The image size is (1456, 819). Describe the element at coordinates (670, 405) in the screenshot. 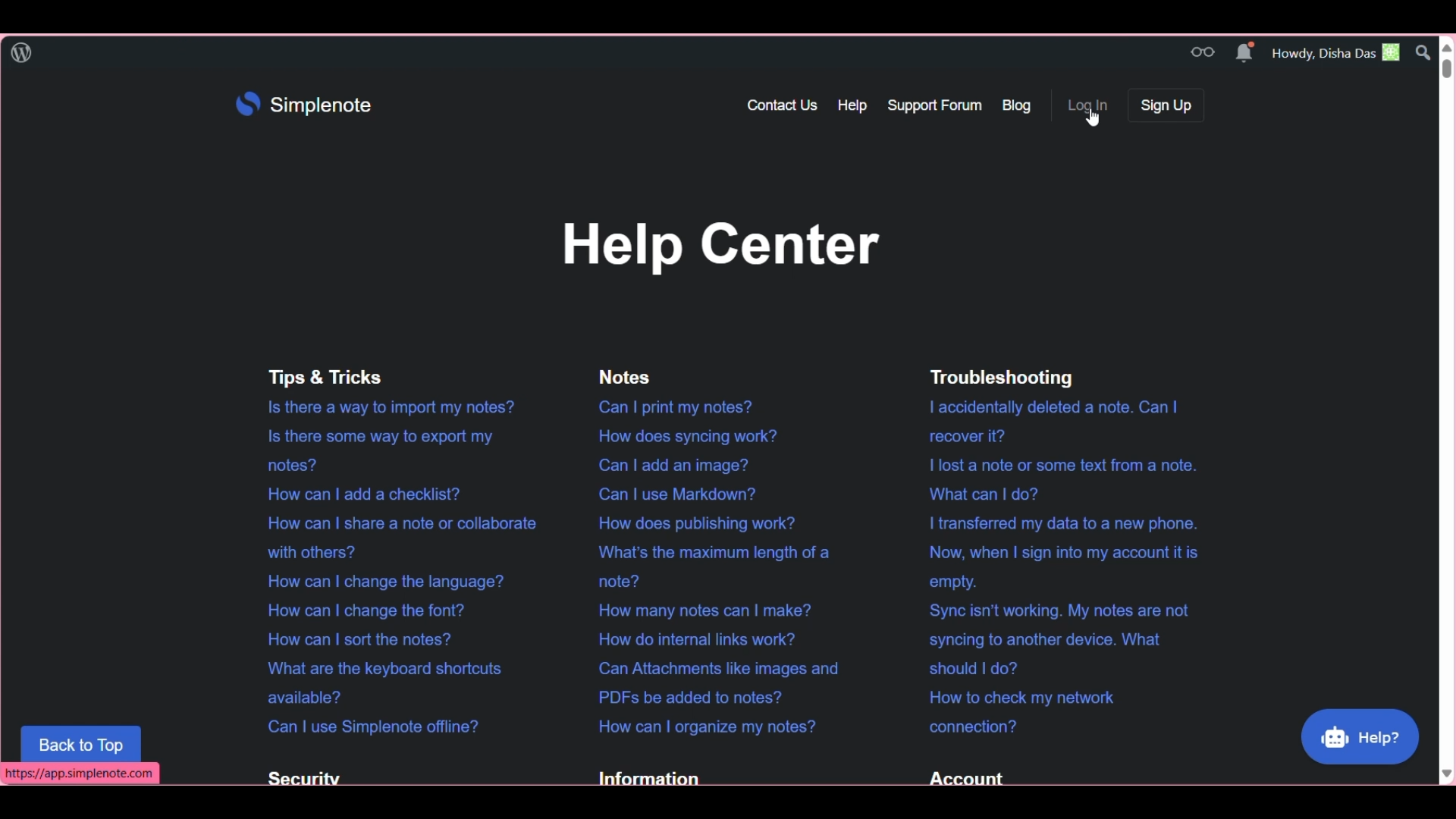

I see `Can | print my notes?` at that location.